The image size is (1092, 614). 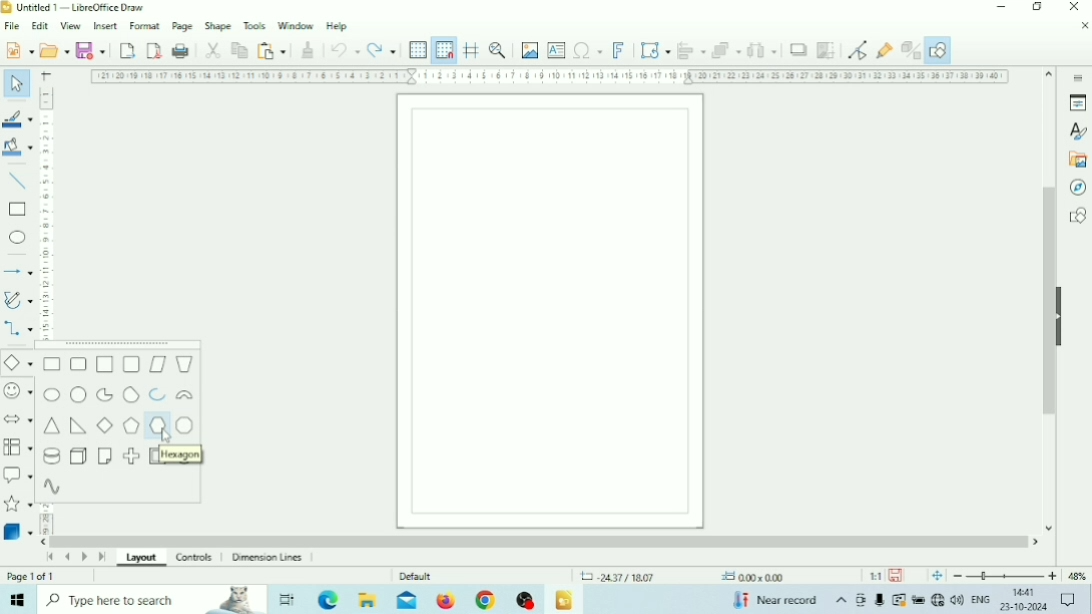 What do you see at coordinates (54, 50) in the screenshot?
I see `Open` at bounding box center [54, 50].